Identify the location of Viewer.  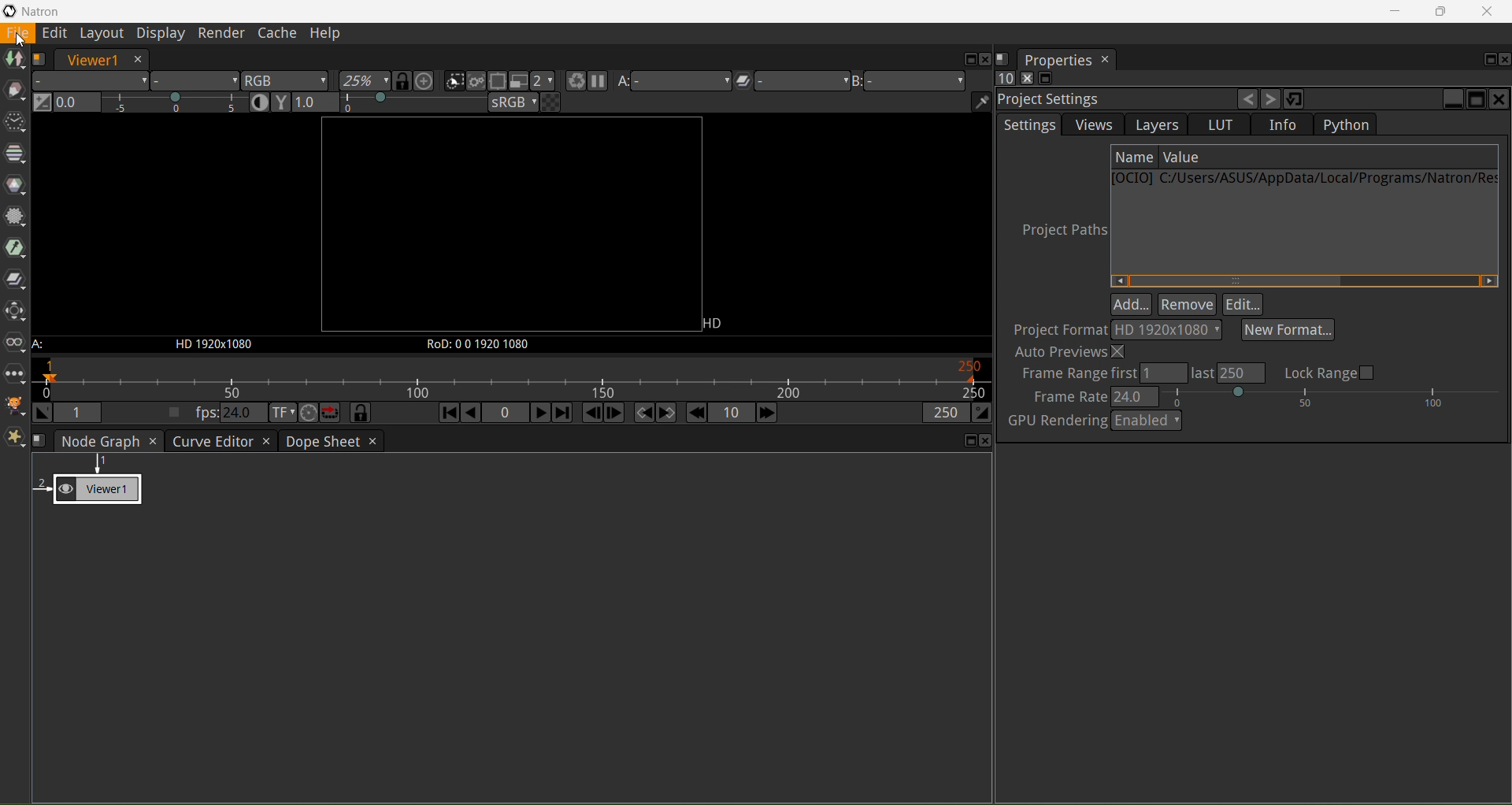
(91, 61).